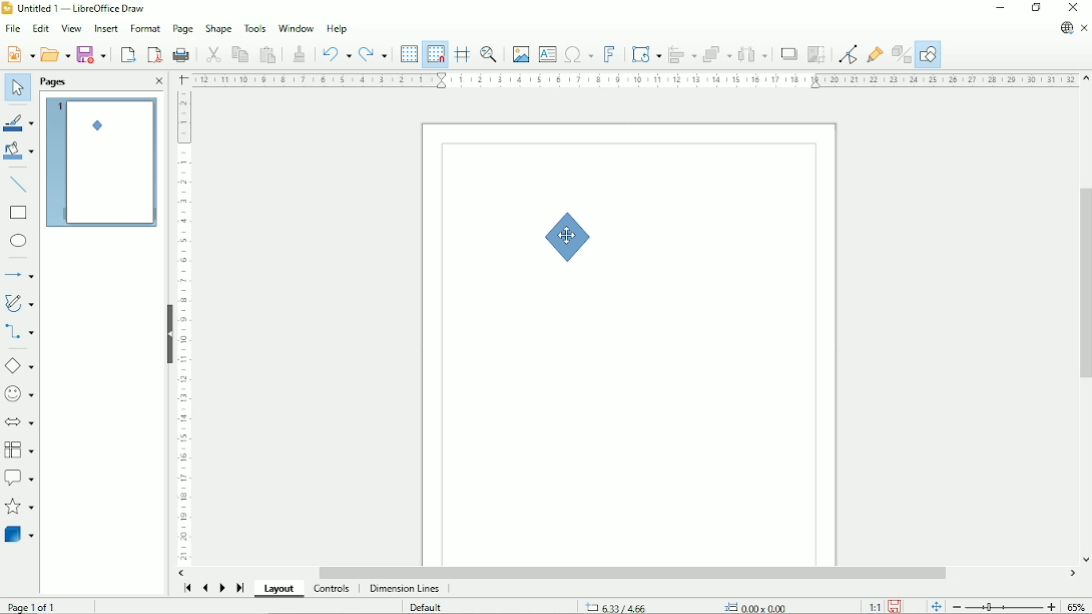 This screenshot has width=1092, height=614. Describe the element at coordinates (181, 28) in the screenshot. I see `Page` at that location.